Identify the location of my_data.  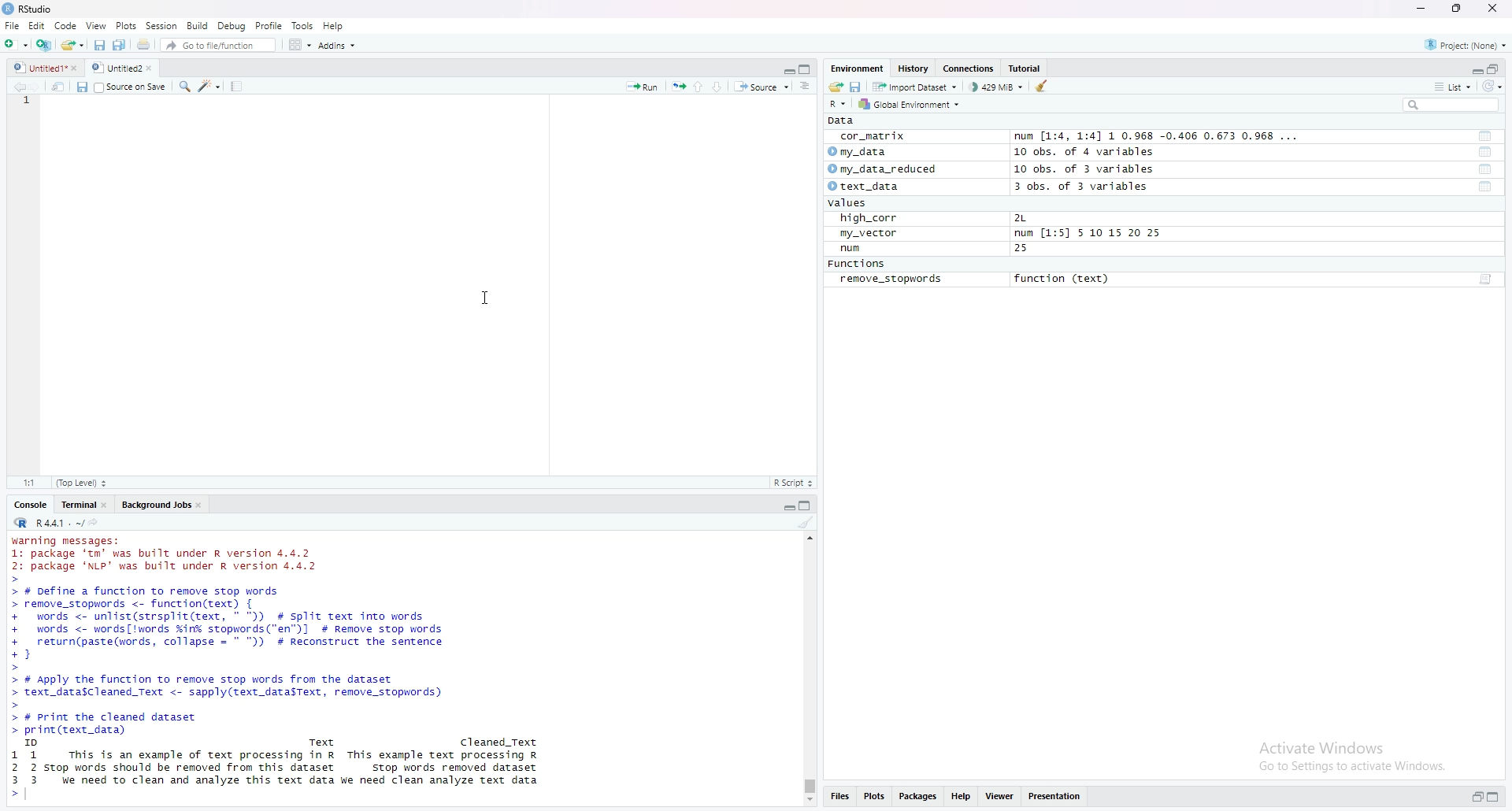
(858, 152).